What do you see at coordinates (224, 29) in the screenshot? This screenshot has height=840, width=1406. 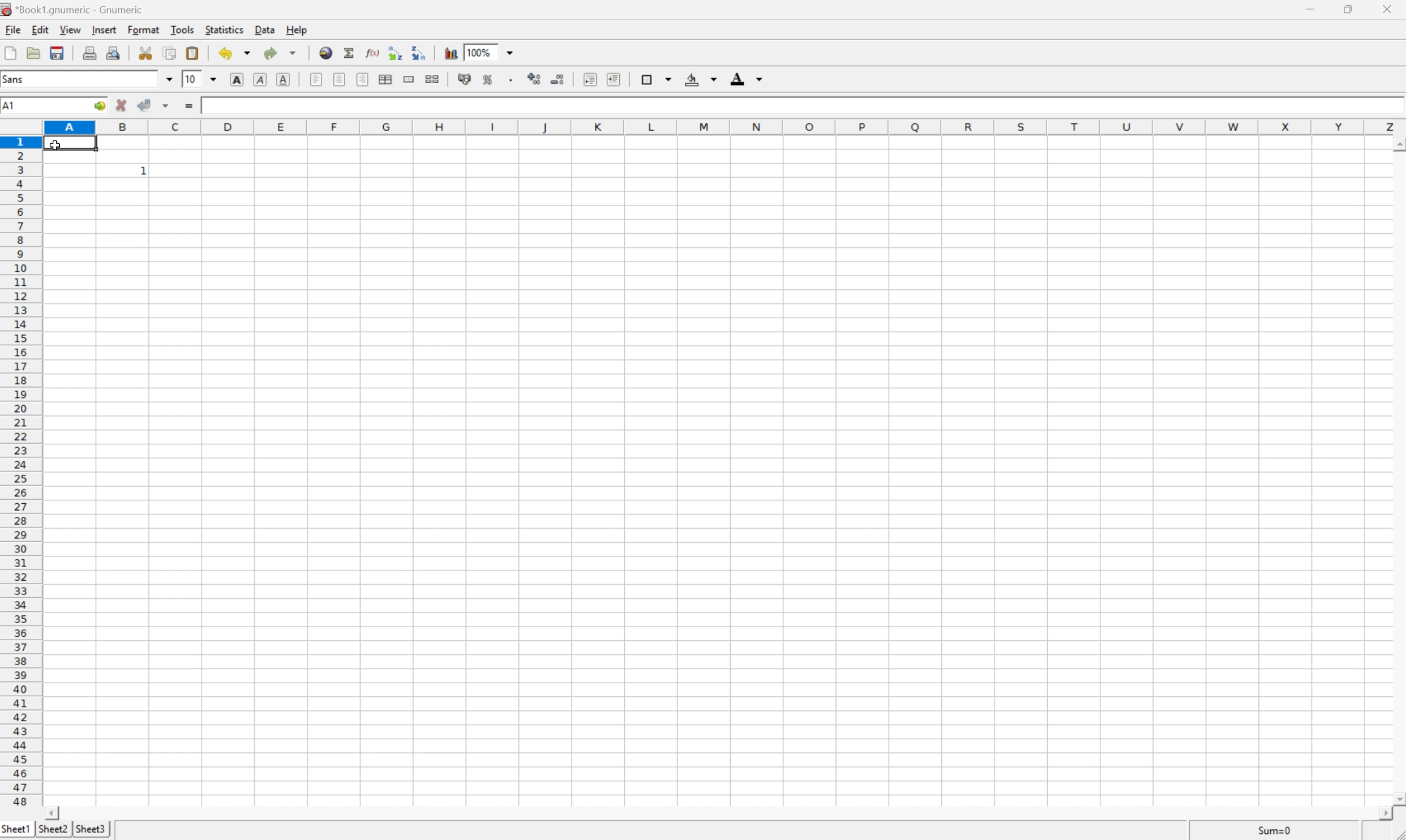 I see `statistics` at bounding box center [224, 29].